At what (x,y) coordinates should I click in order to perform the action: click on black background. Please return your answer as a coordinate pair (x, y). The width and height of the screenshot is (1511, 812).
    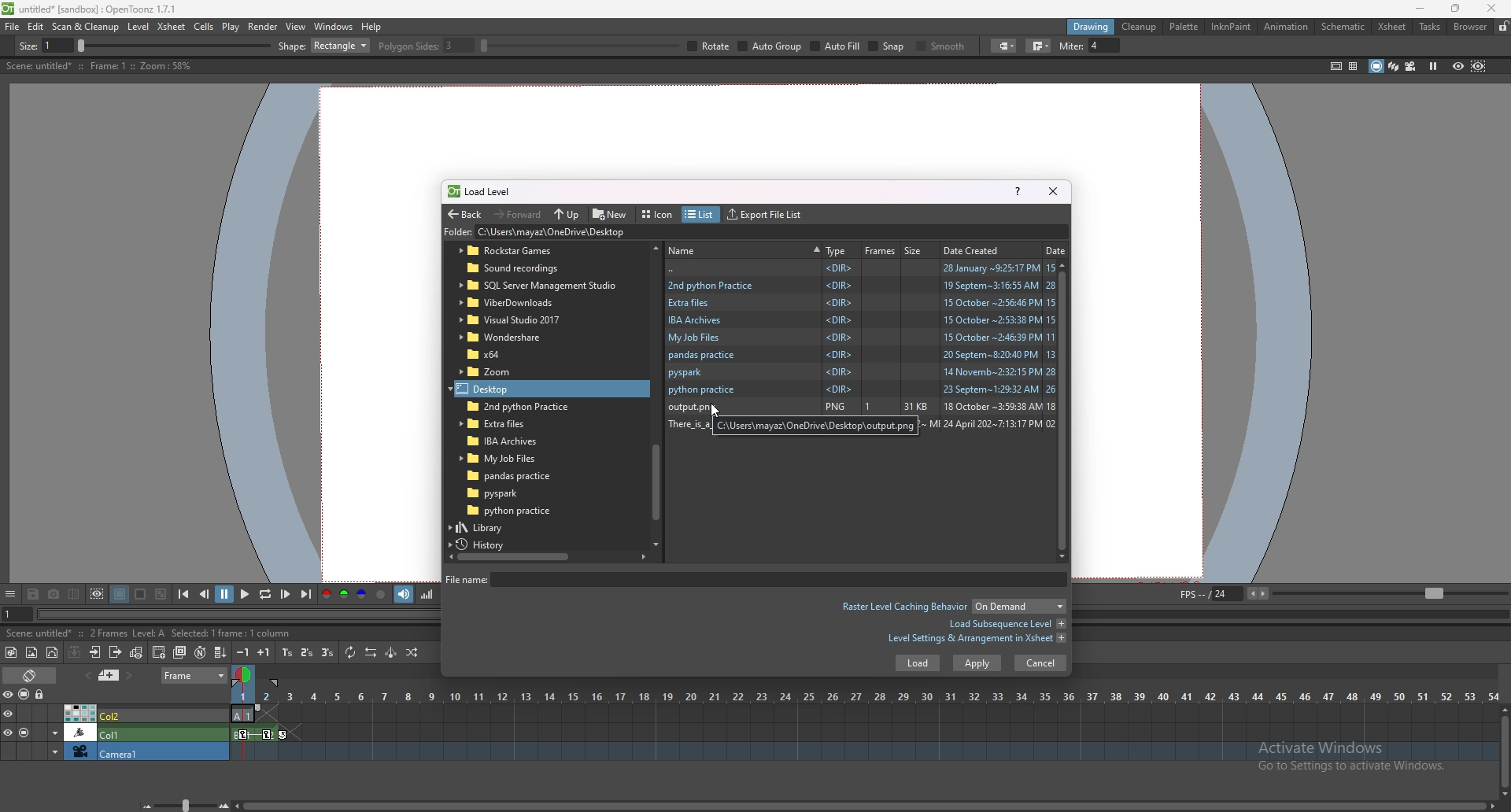
    Looking at the image, I should click on (120, 594).